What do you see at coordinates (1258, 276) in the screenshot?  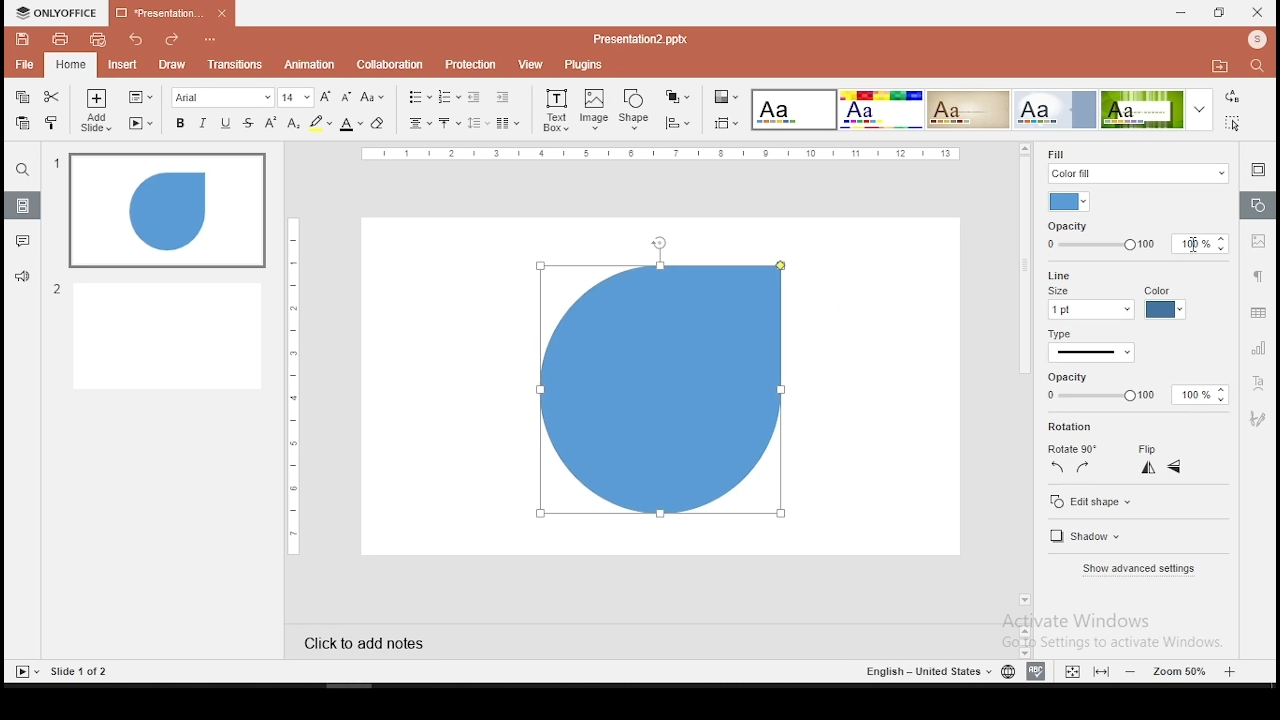 I see `paragraph settings` at bounding box center [1258, 276].